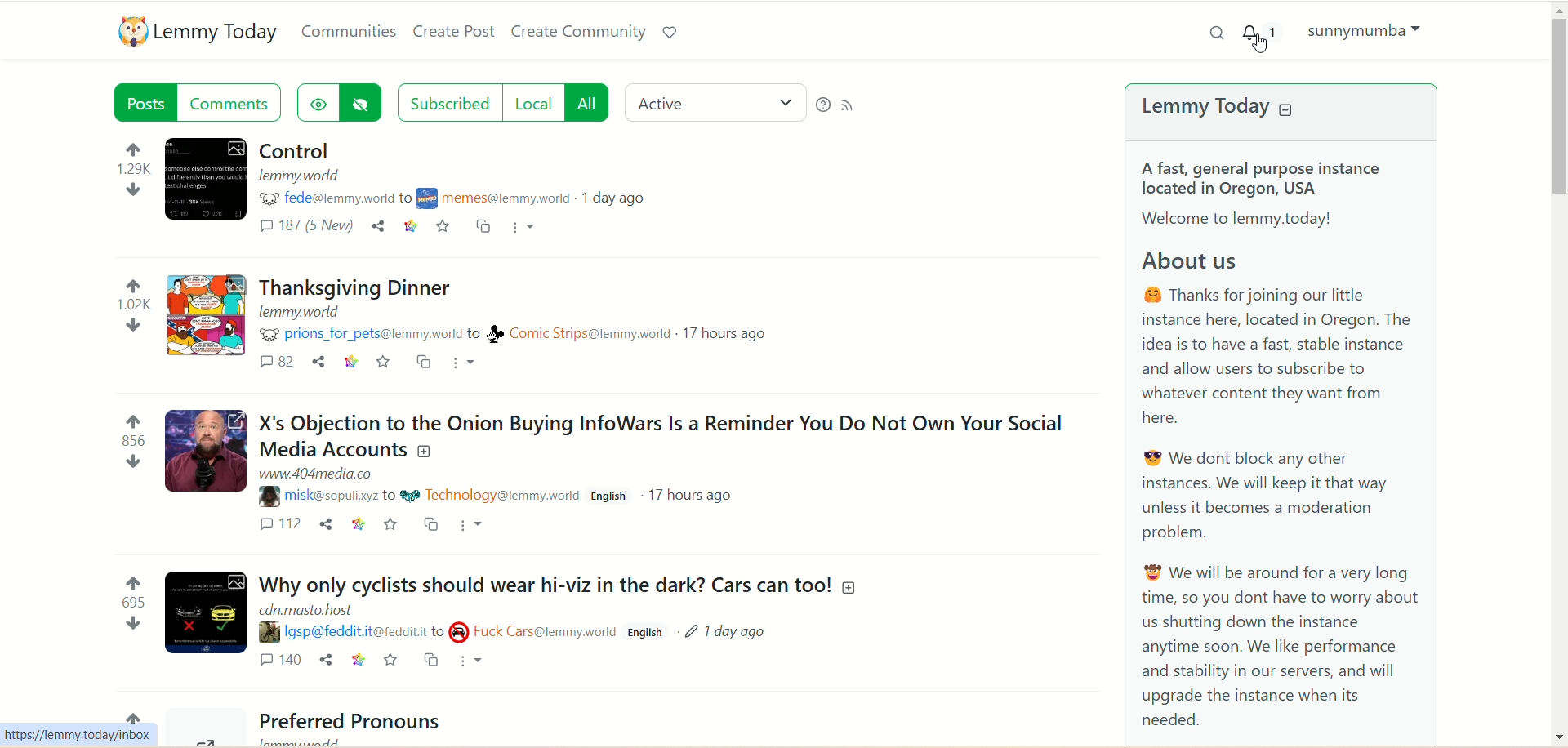  I want to click on more, so click(473, 523).